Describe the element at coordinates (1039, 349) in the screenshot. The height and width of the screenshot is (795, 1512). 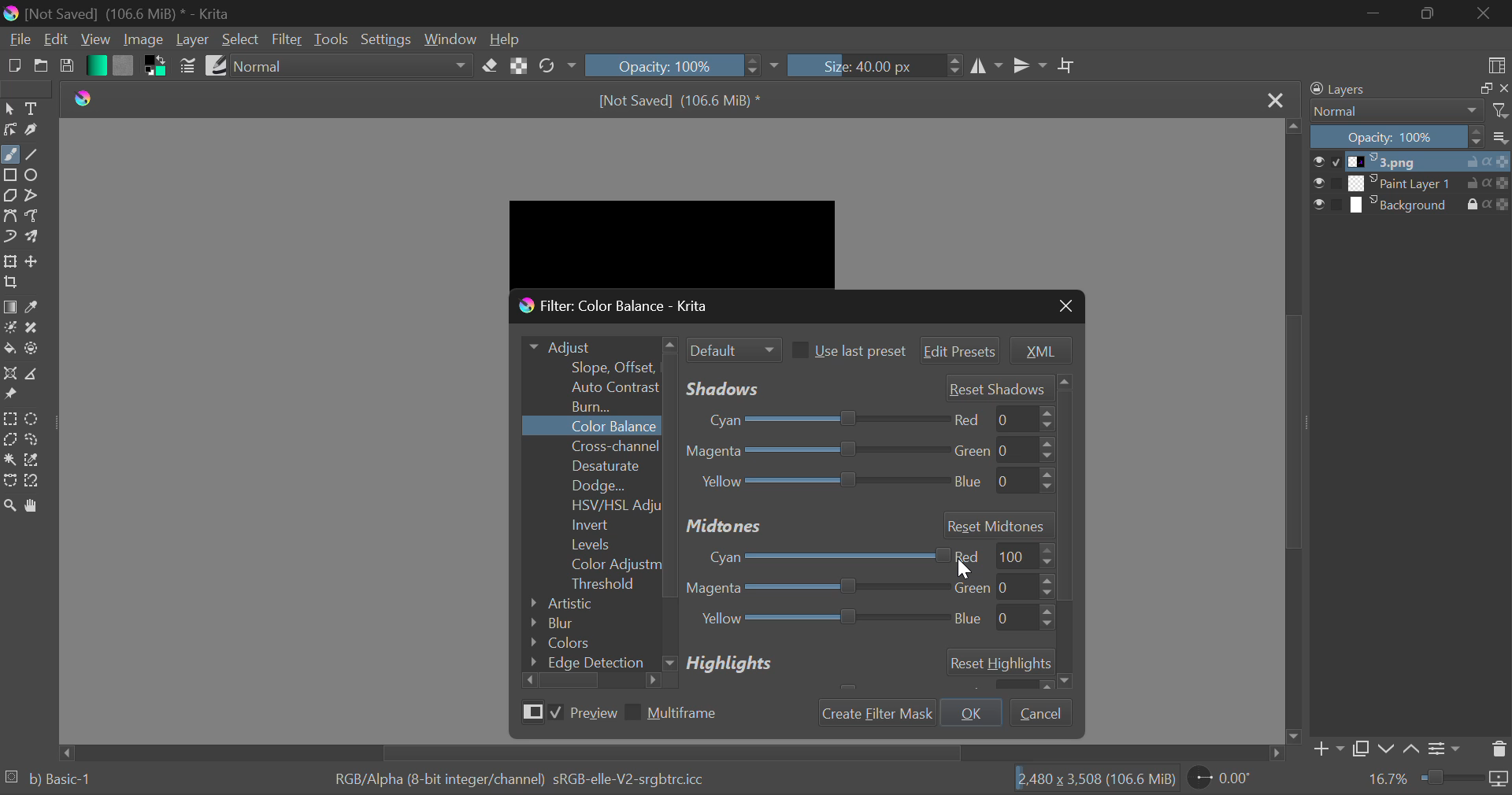
I see `XML` at that location.